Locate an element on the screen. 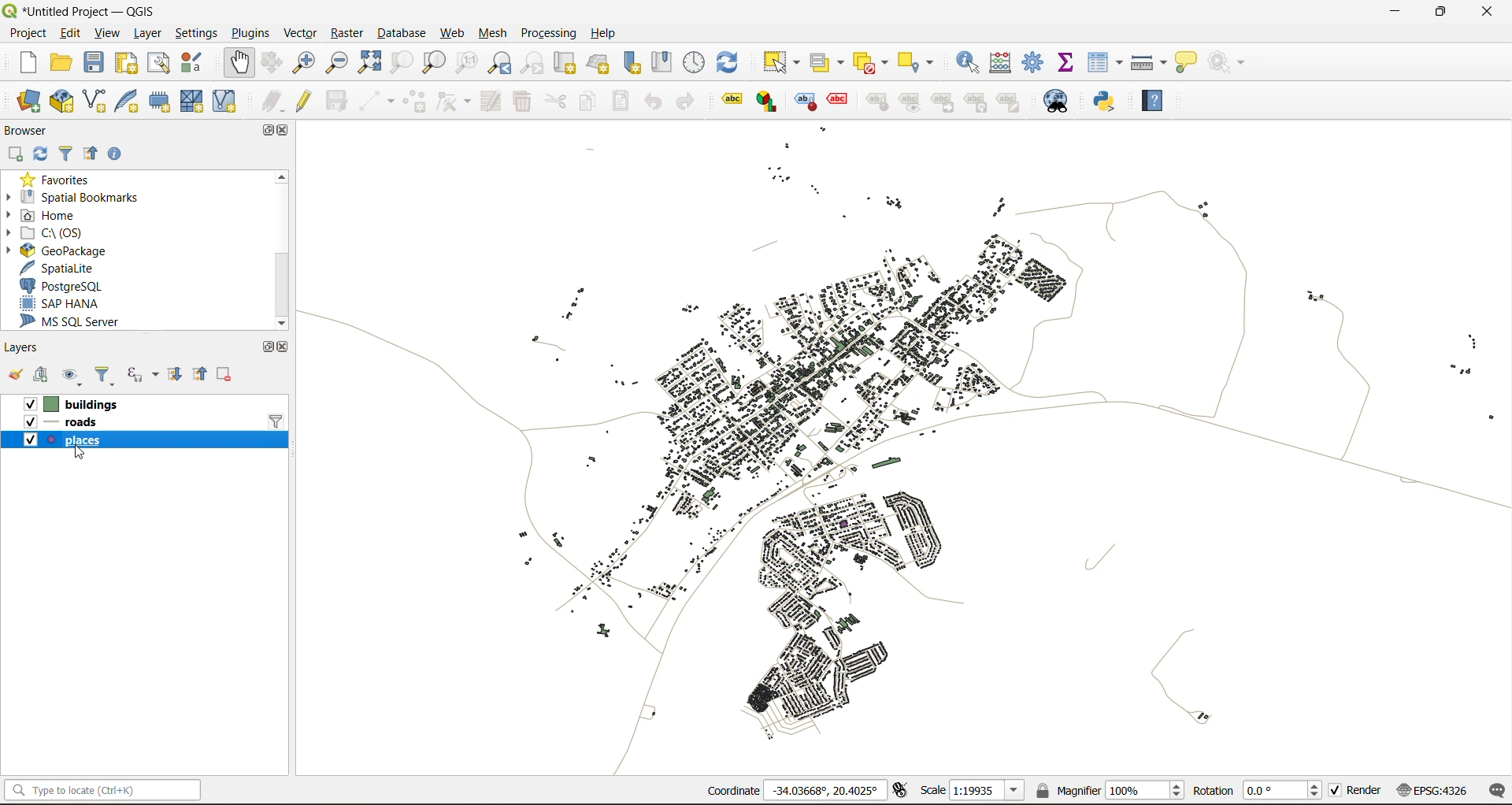 The width and height of the screenshot is (1512, 805). magnifier is located at coordinates (1109, 789).